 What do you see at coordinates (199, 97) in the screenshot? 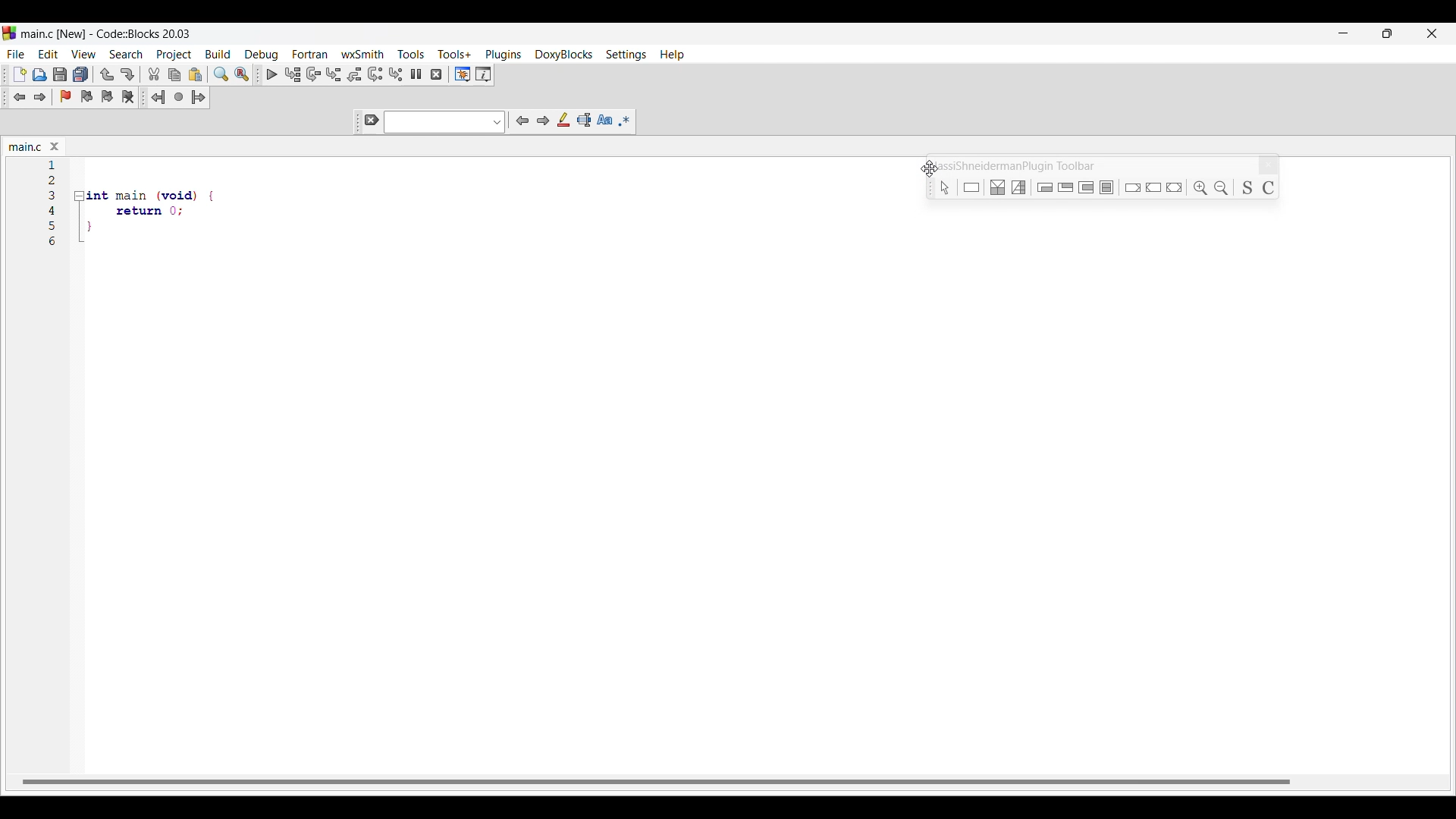
I see `Jump forward` at bounding box center [199, 97].